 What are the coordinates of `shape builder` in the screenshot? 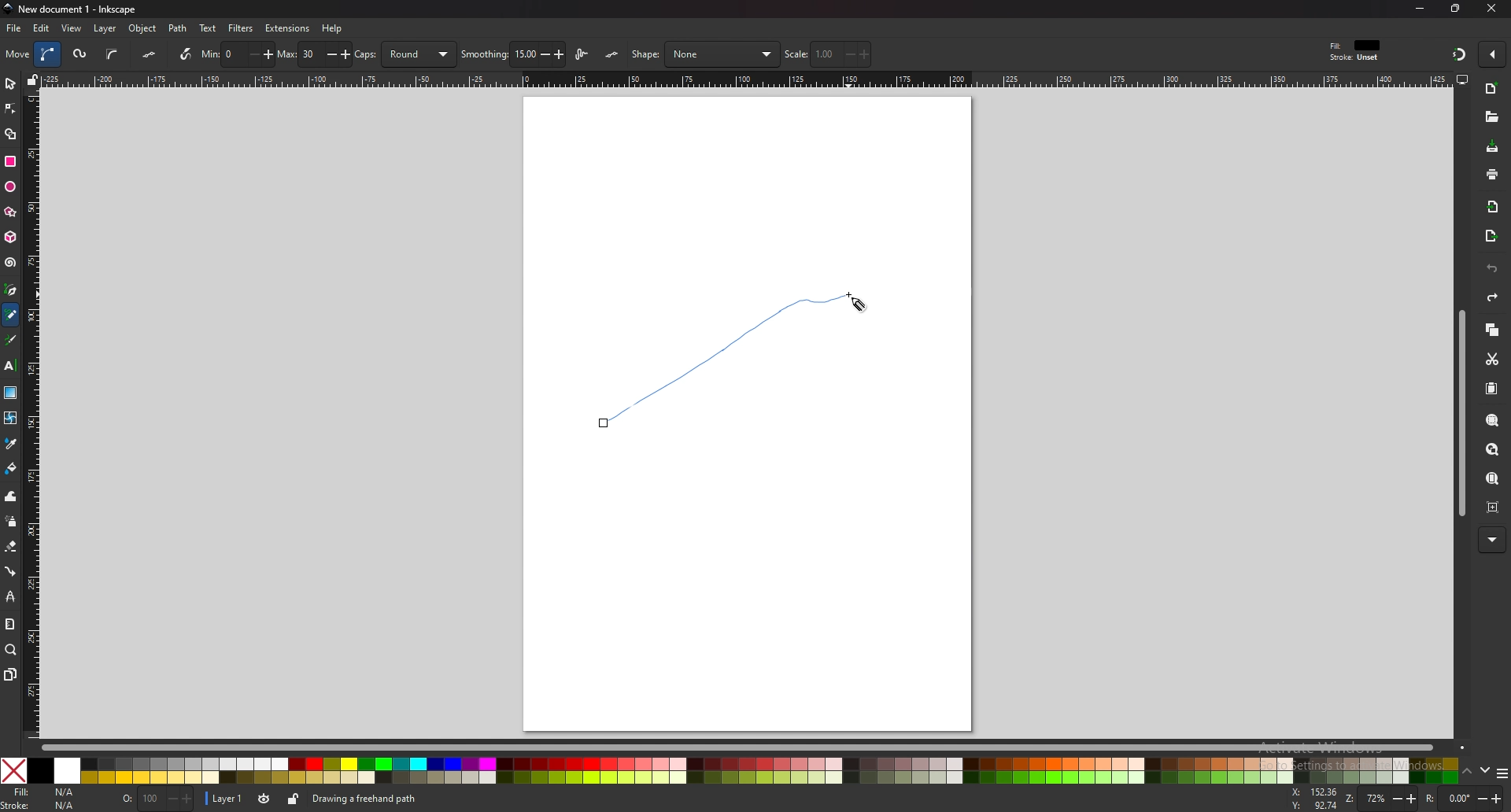 It's located at (12, 134).